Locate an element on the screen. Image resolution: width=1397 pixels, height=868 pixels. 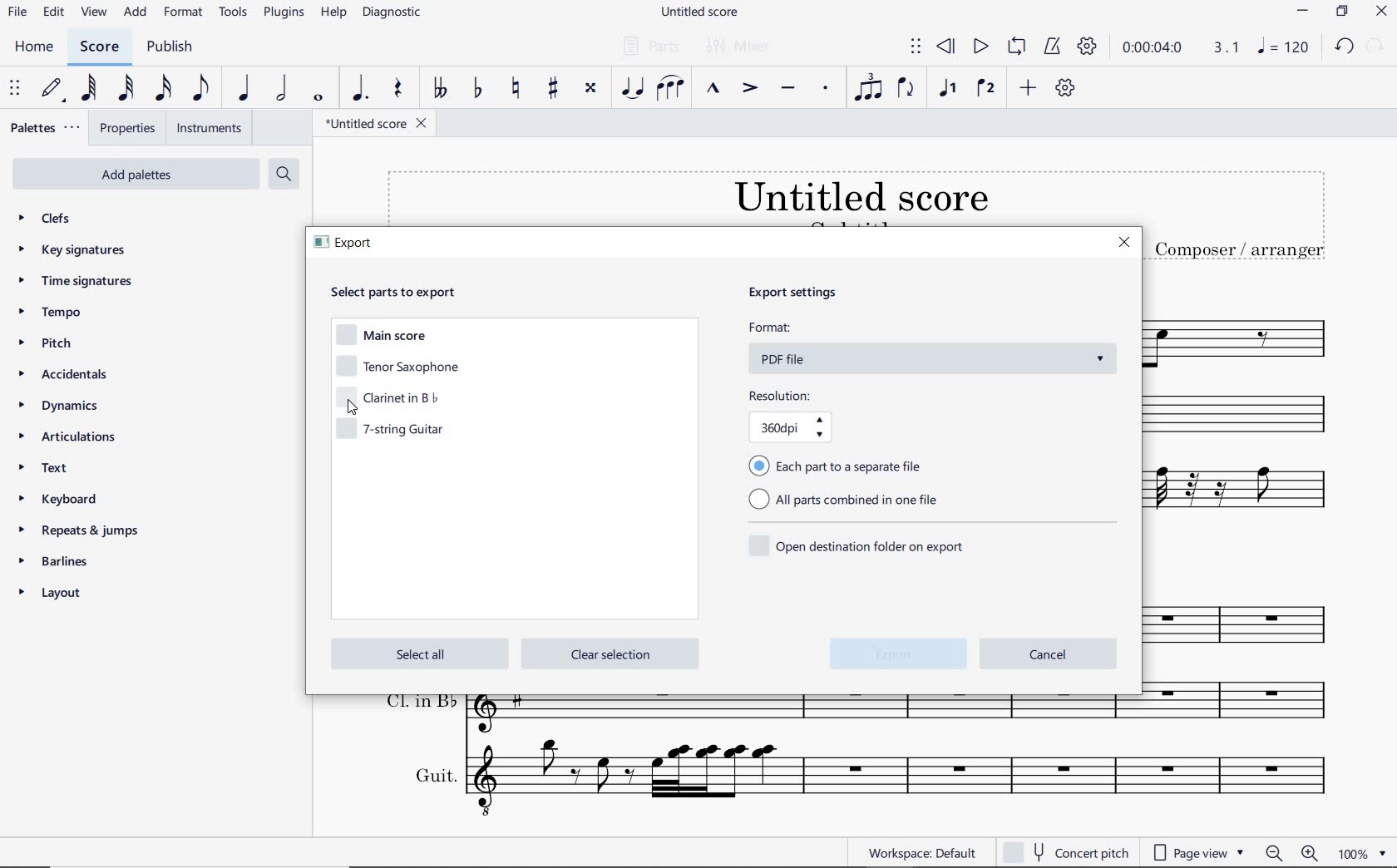
STACCATO is located at coordinates (827, 91).